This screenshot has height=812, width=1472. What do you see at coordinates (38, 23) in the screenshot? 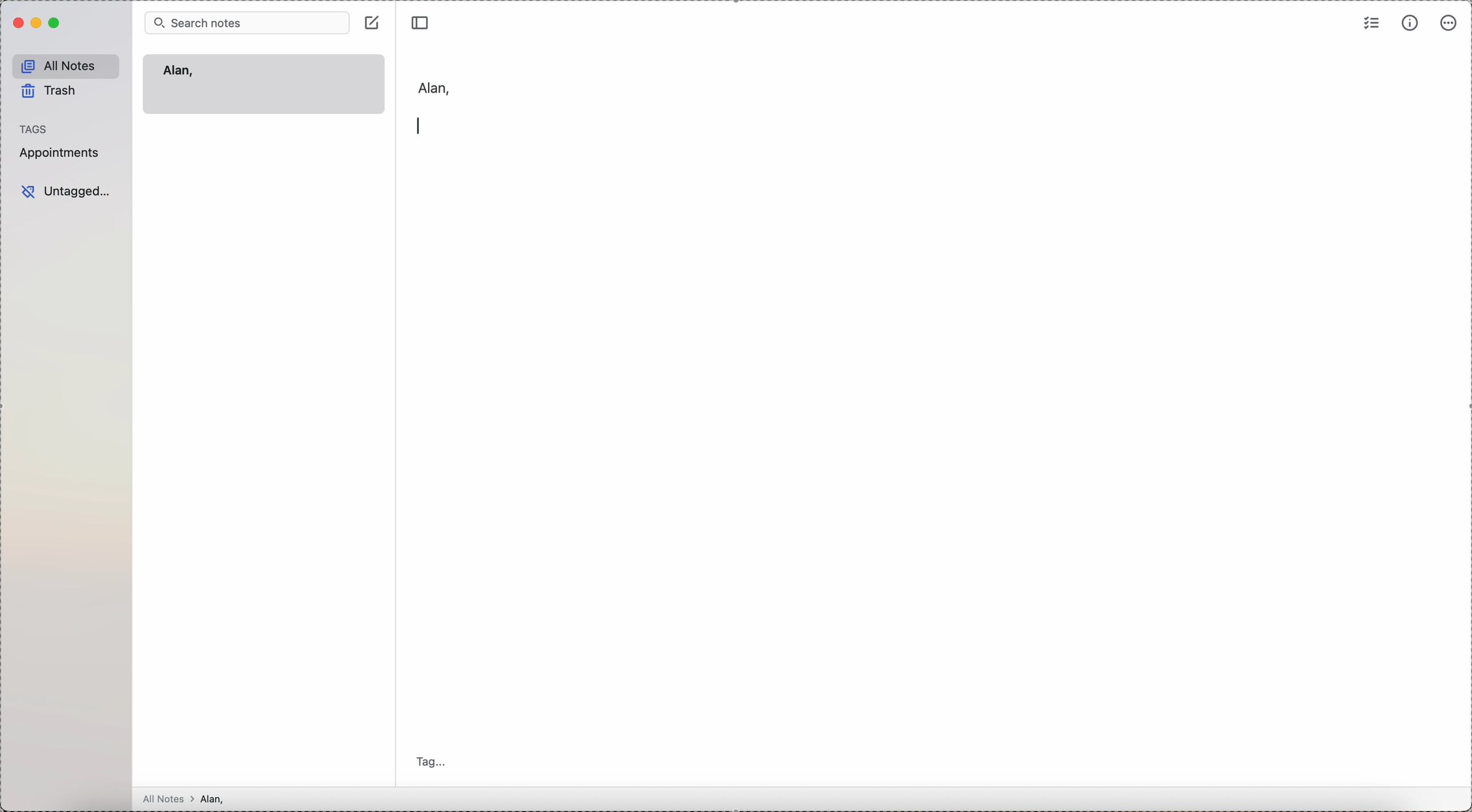
I see `minimize Simplenote` at bounding box center [38, 23].